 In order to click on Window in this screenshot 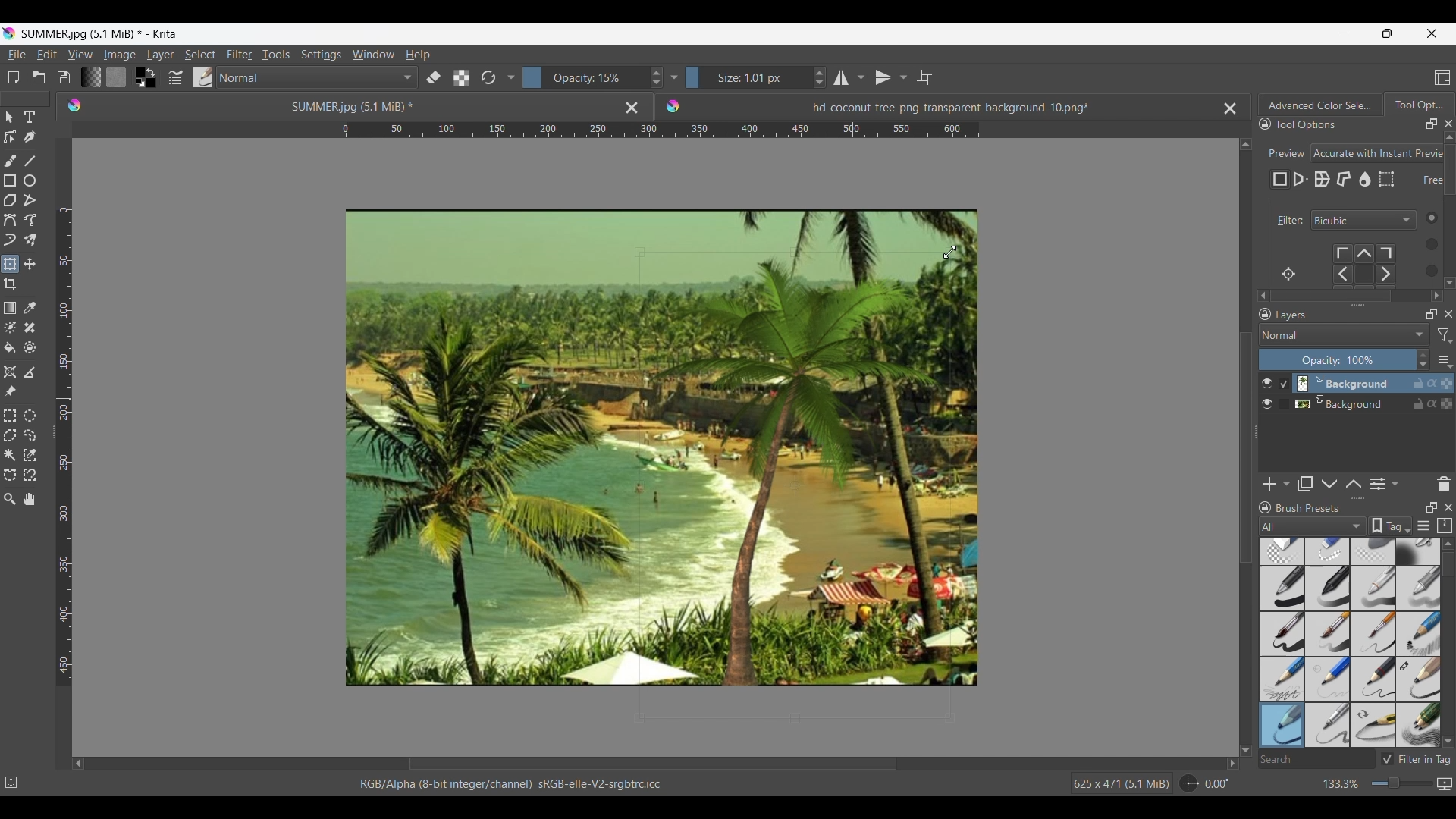, I will do `click(372, 54)`.